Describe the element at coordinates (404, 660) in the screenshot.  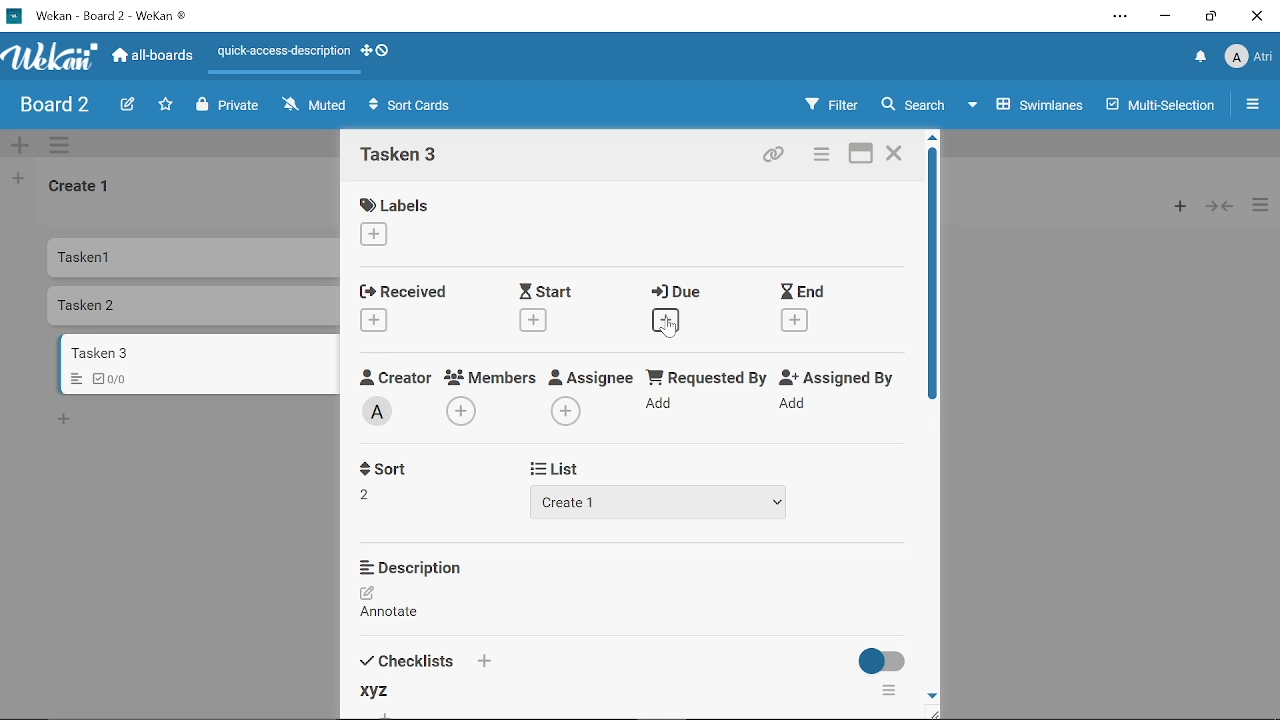
I see `Checklists` at that location.